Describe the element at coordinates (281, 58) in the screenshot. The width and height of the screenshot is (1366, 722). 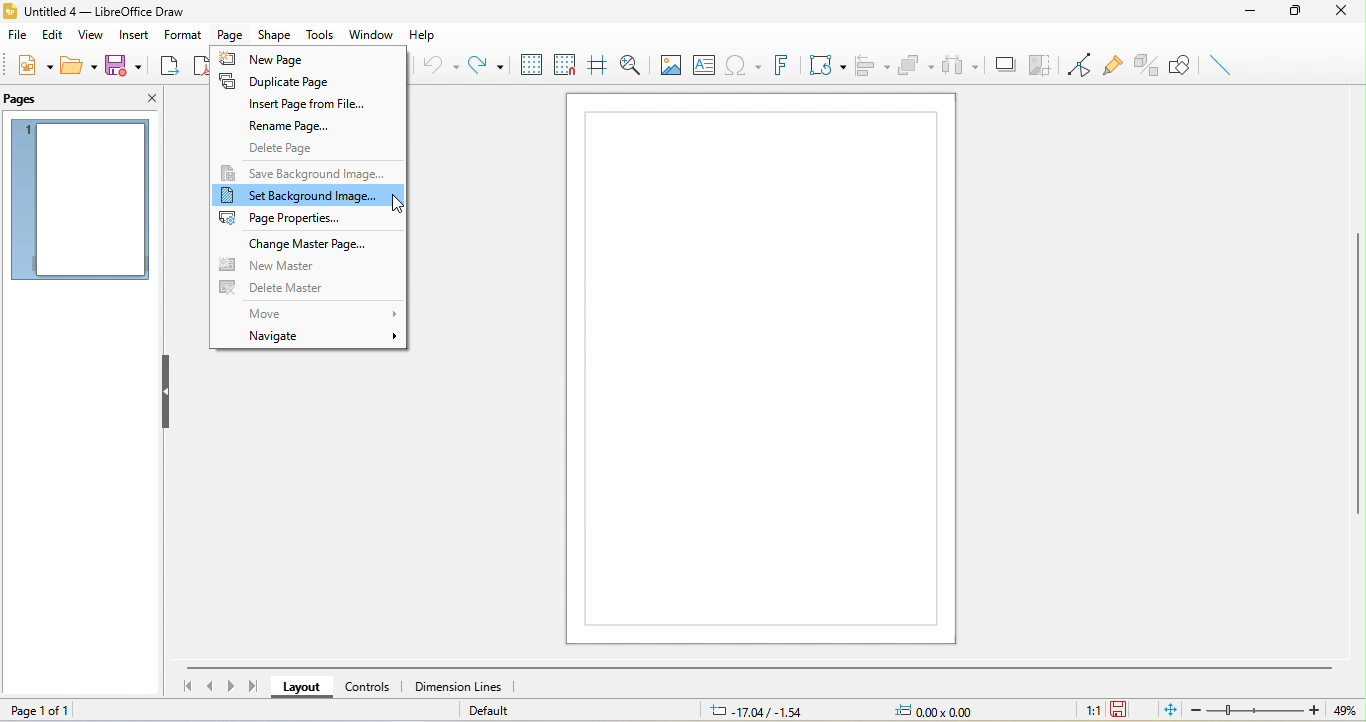
I see `new page` at that location.